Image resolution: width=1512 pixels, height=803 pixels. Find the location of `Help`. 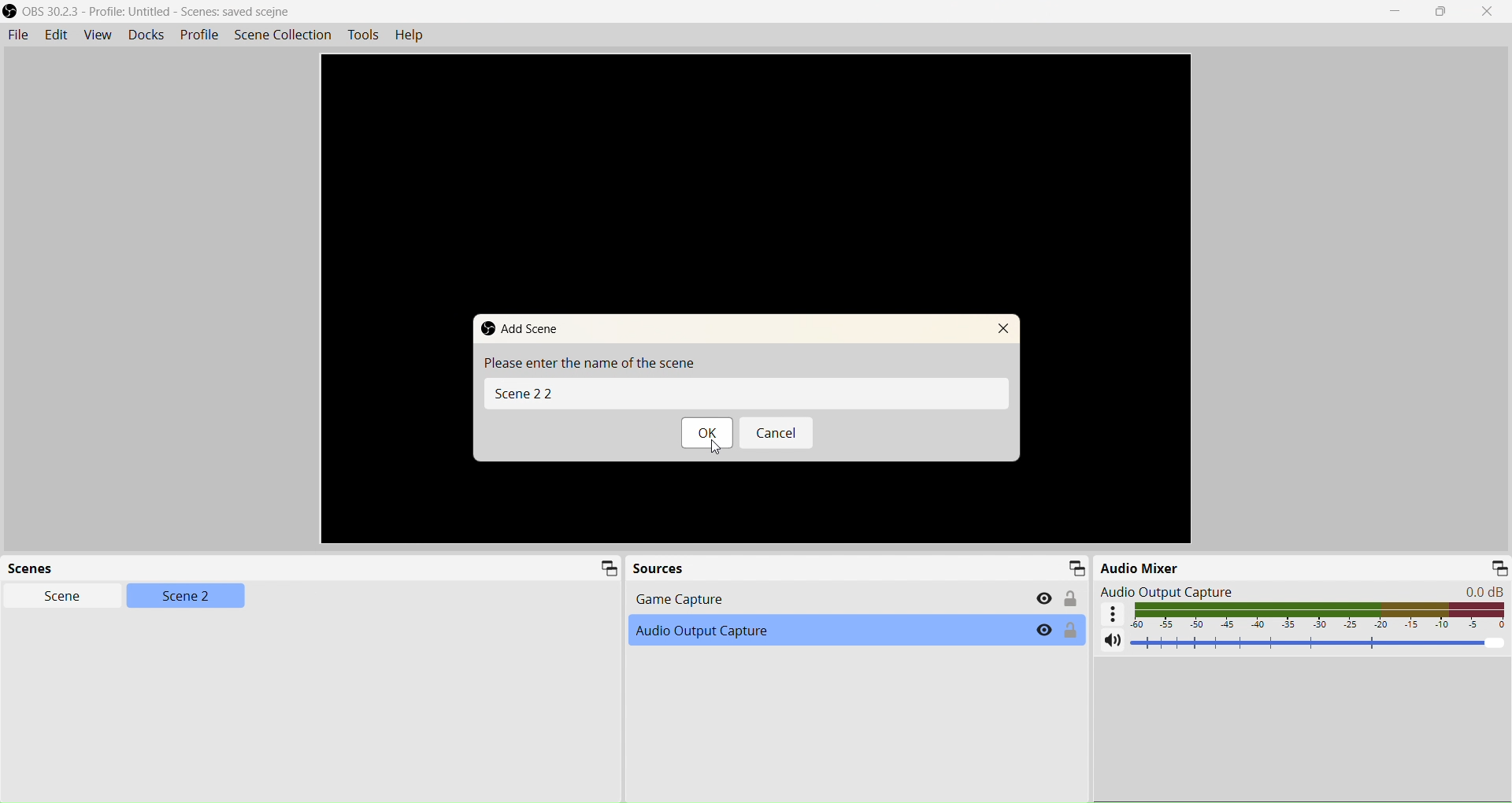

Help is located at coordinates (409, 34).